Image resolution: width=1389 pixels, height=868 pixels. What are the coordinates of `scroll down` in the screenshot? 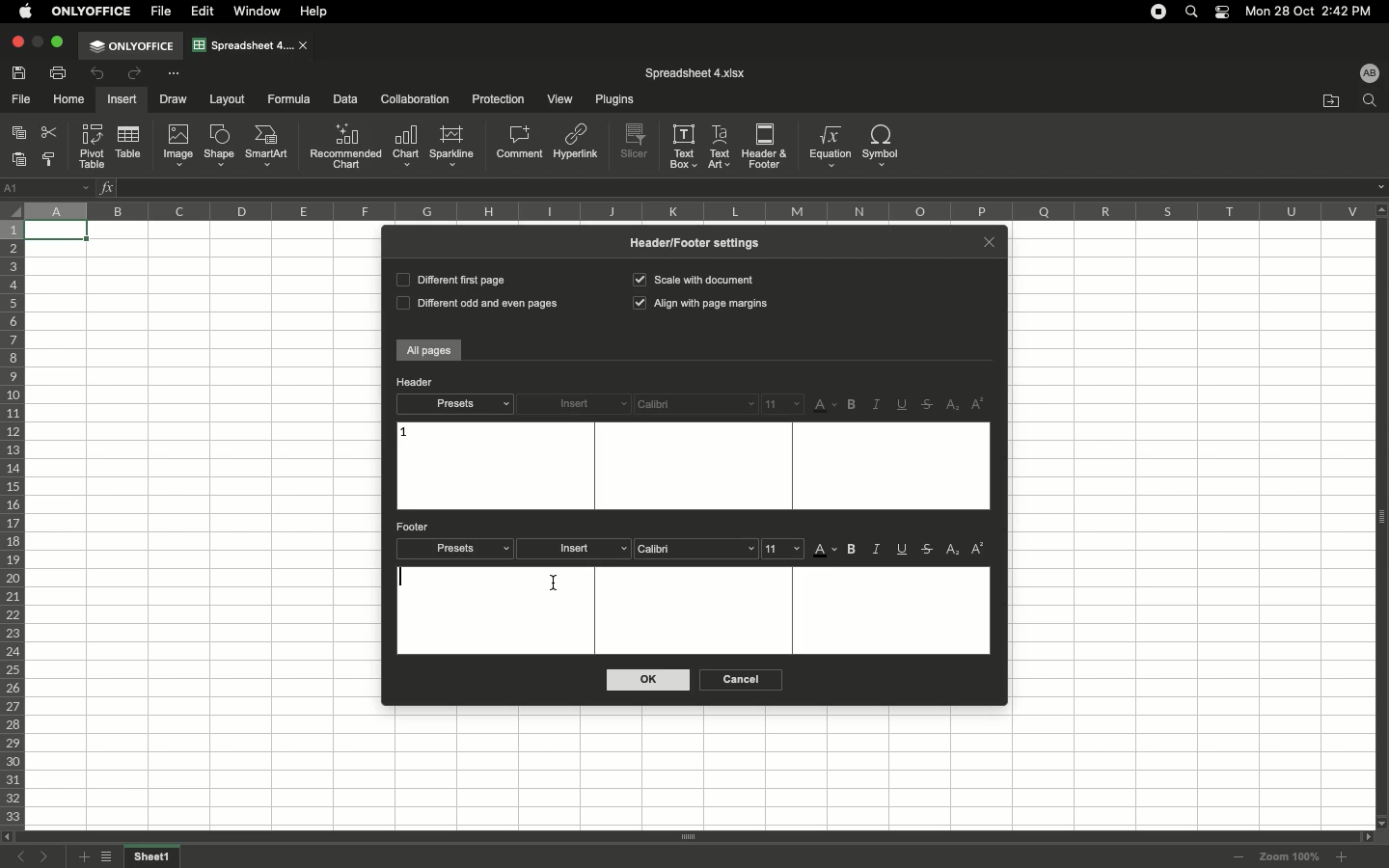 It's located at (1380, 822).